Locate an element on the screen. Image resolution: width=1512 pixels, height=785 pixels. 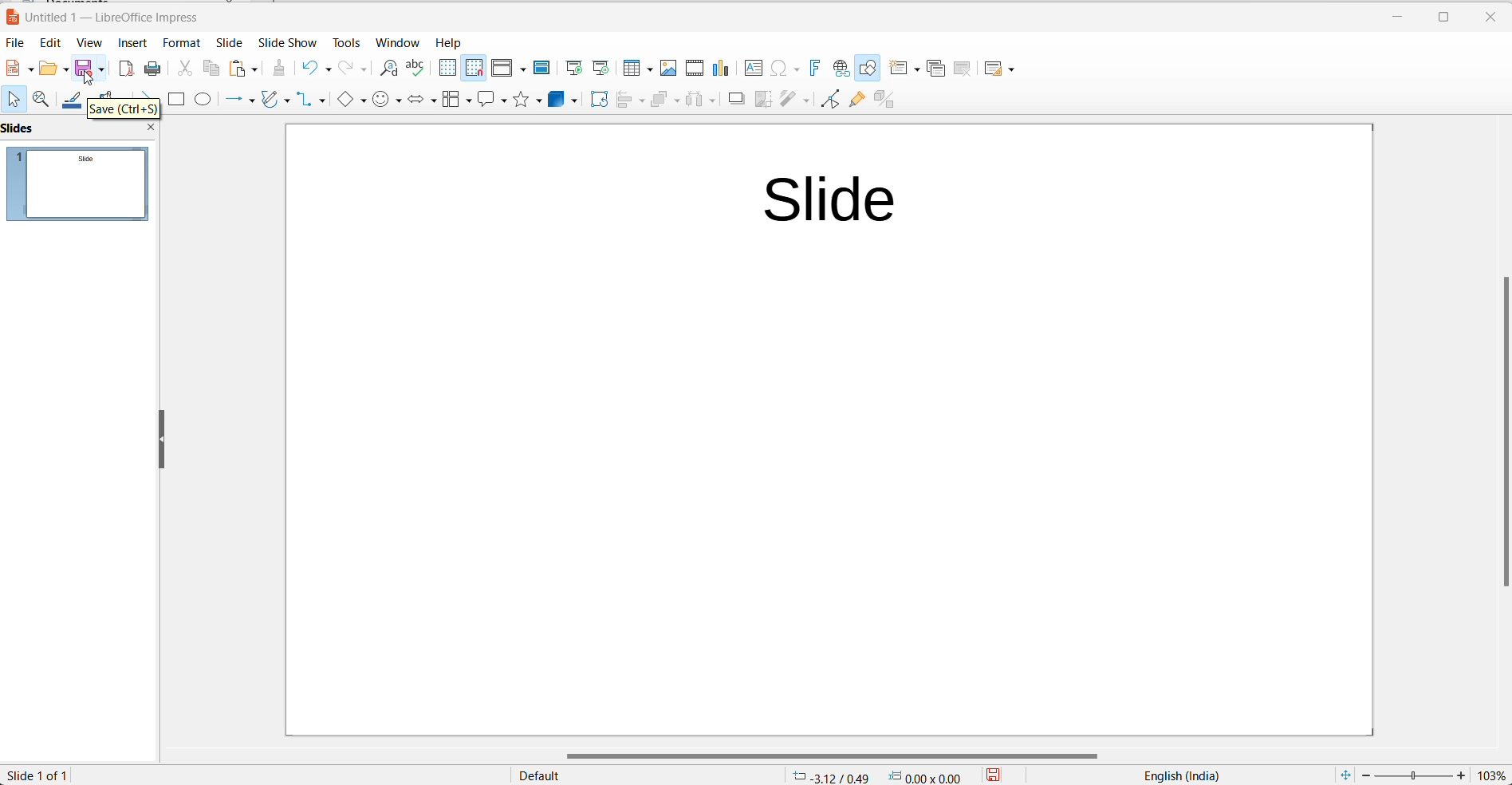
3d objects  is located at coordinates (563, 102).